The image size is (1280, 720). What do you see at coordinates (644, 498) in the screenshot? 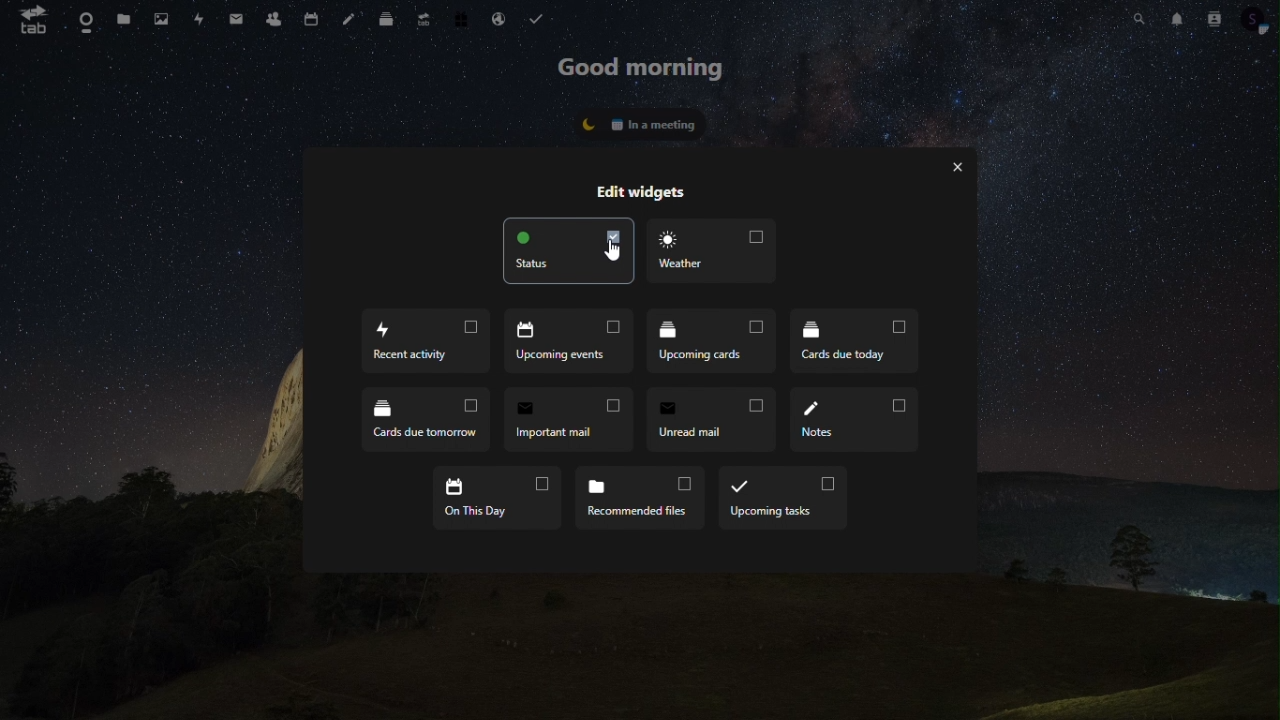
I see `recommended files` at bounding box center [644, 498].